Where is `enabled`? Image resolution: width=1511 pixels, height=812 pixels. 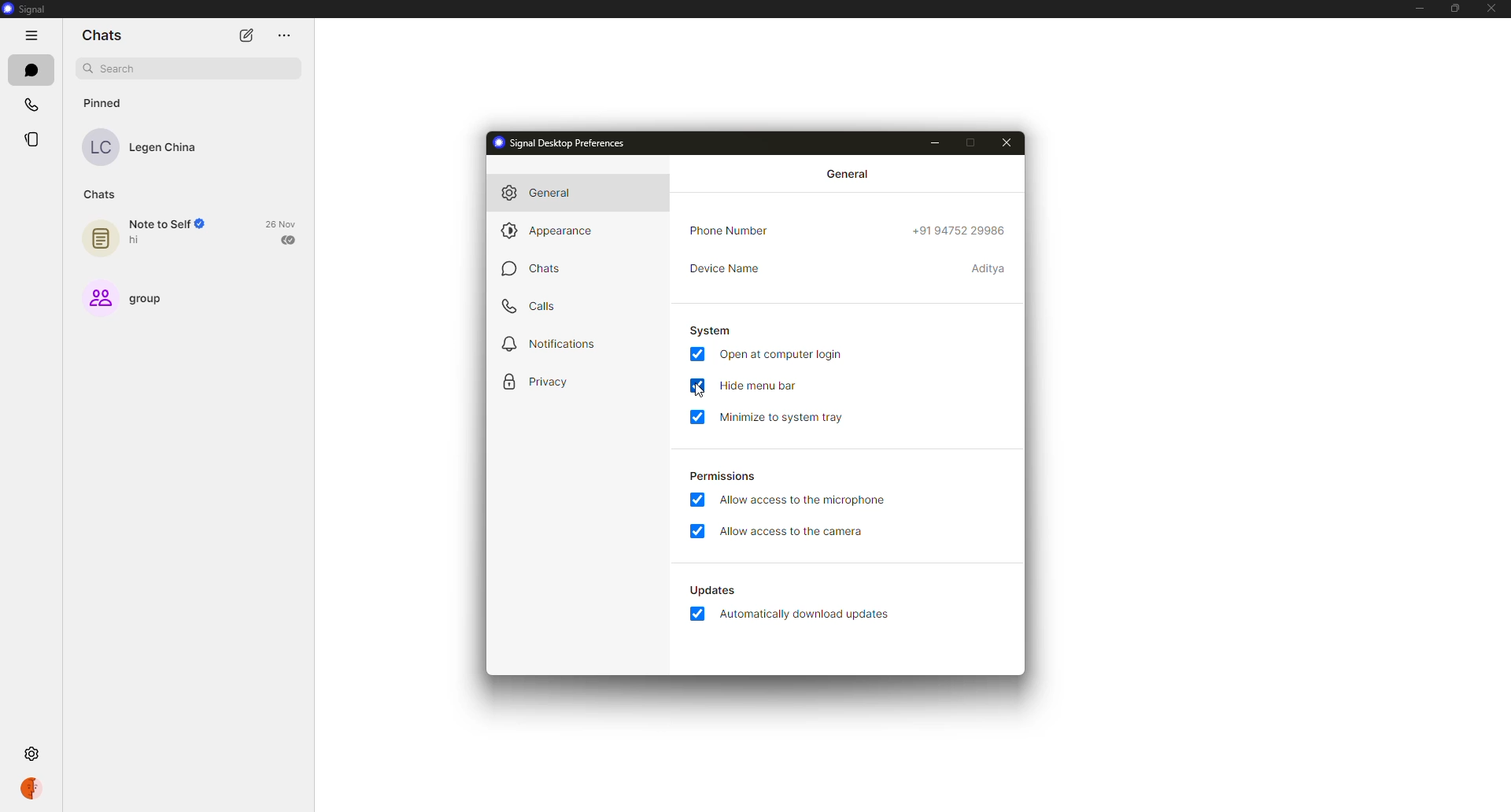 enabled is located at coordinates (697, 614).